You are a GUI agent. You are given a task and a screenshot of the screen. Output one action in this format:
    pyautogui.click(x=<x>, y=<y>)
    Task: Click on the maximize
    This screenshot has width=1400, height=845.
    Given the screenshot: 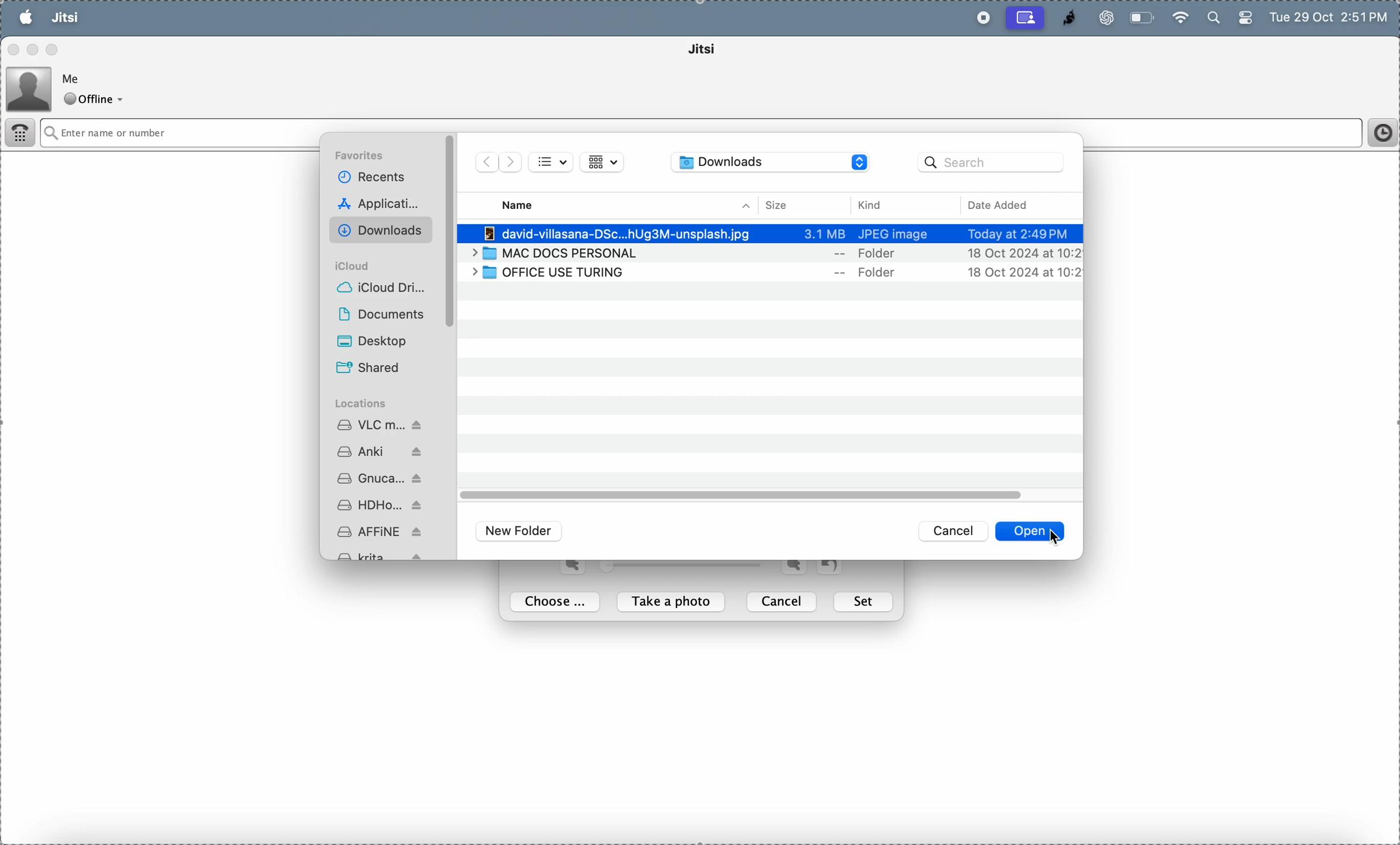 What is the action you would take?
    pyautogui.click(x=53, y=48)
    